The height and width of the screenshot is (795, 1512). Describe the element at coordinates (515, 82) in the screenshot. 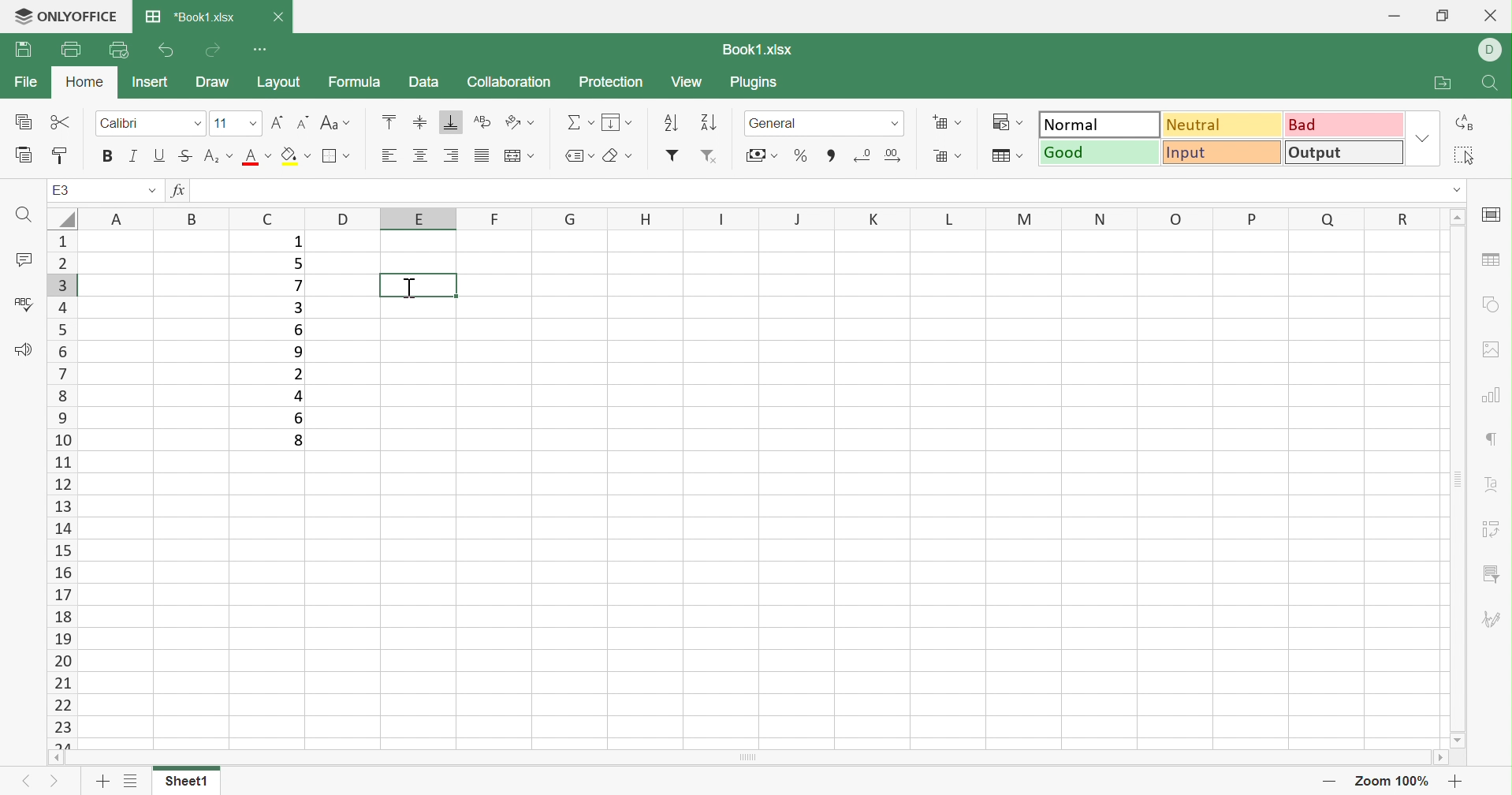

I see `Collaboration` at that location.